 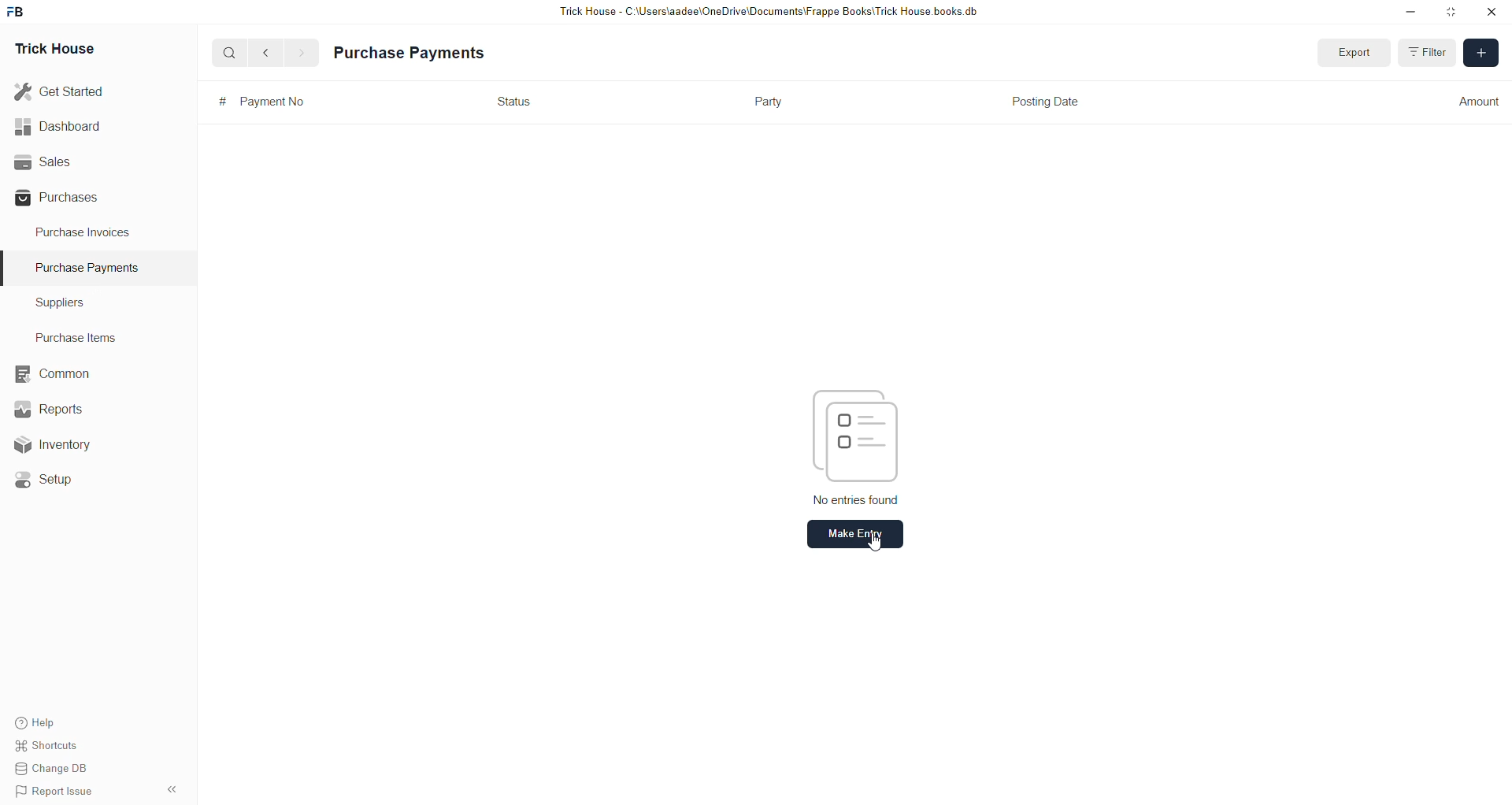 What do you see at coordinates (17, 9) in the screenshot?
I see `frappebooks logo` at bounding box center [17, 9].